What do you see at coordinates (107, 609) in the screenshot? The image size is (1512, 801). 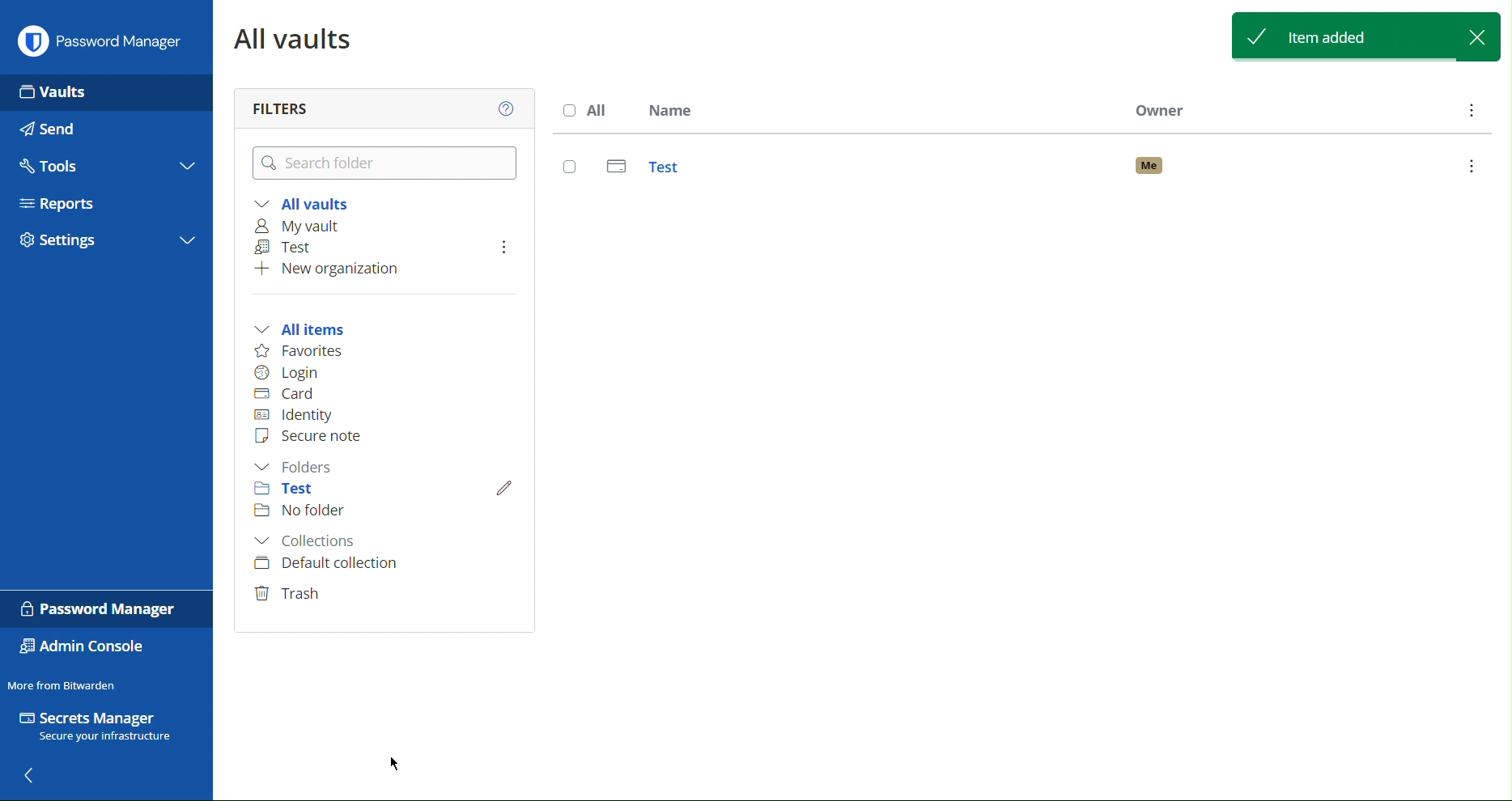 I see `Password Manager` at bounding box center [107, 609].